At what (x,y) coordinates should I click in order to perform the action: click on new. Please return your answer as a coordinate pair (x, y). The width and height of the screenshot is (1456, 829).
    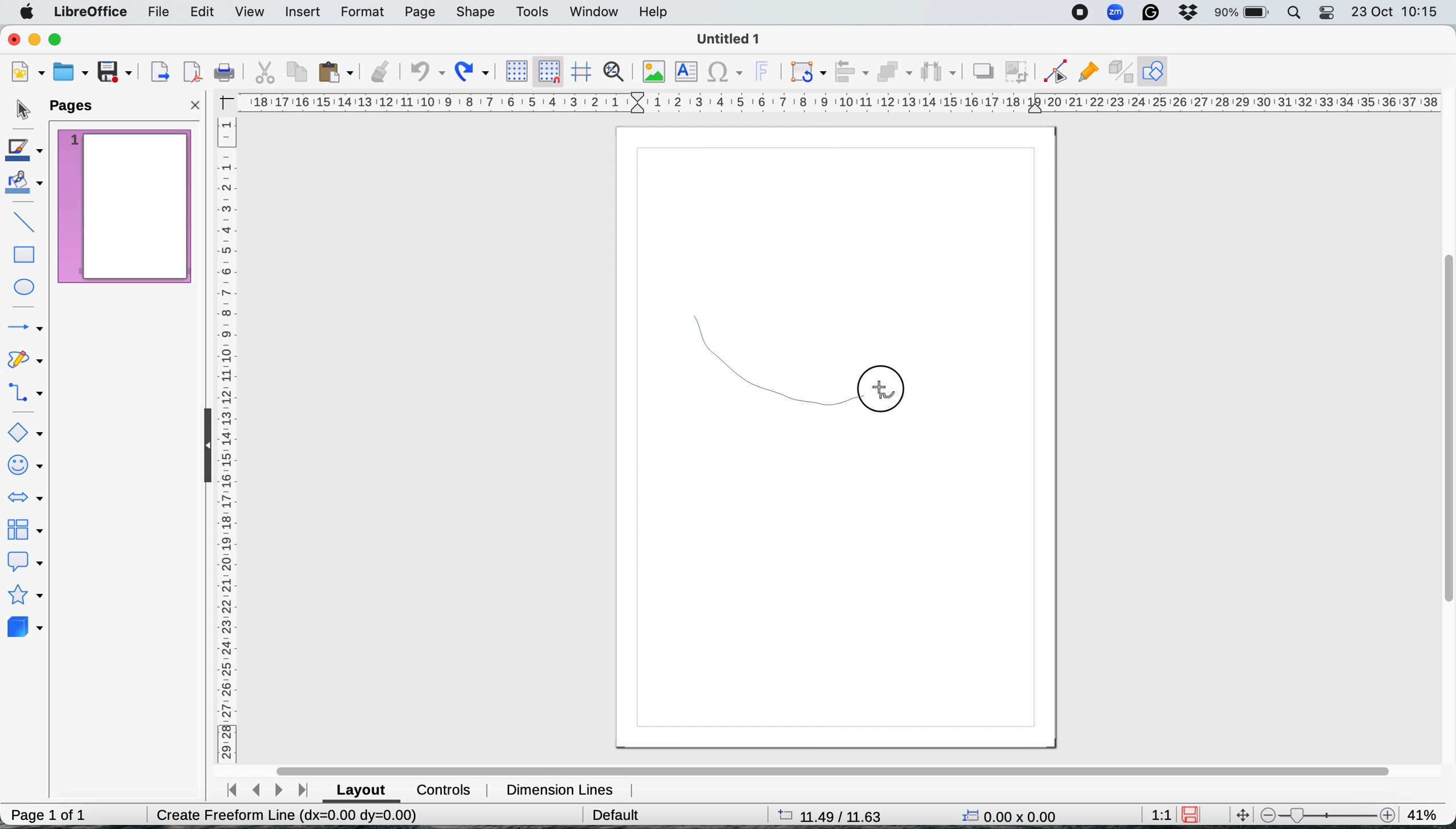
    Looking at the image, I should click on (27, 71).